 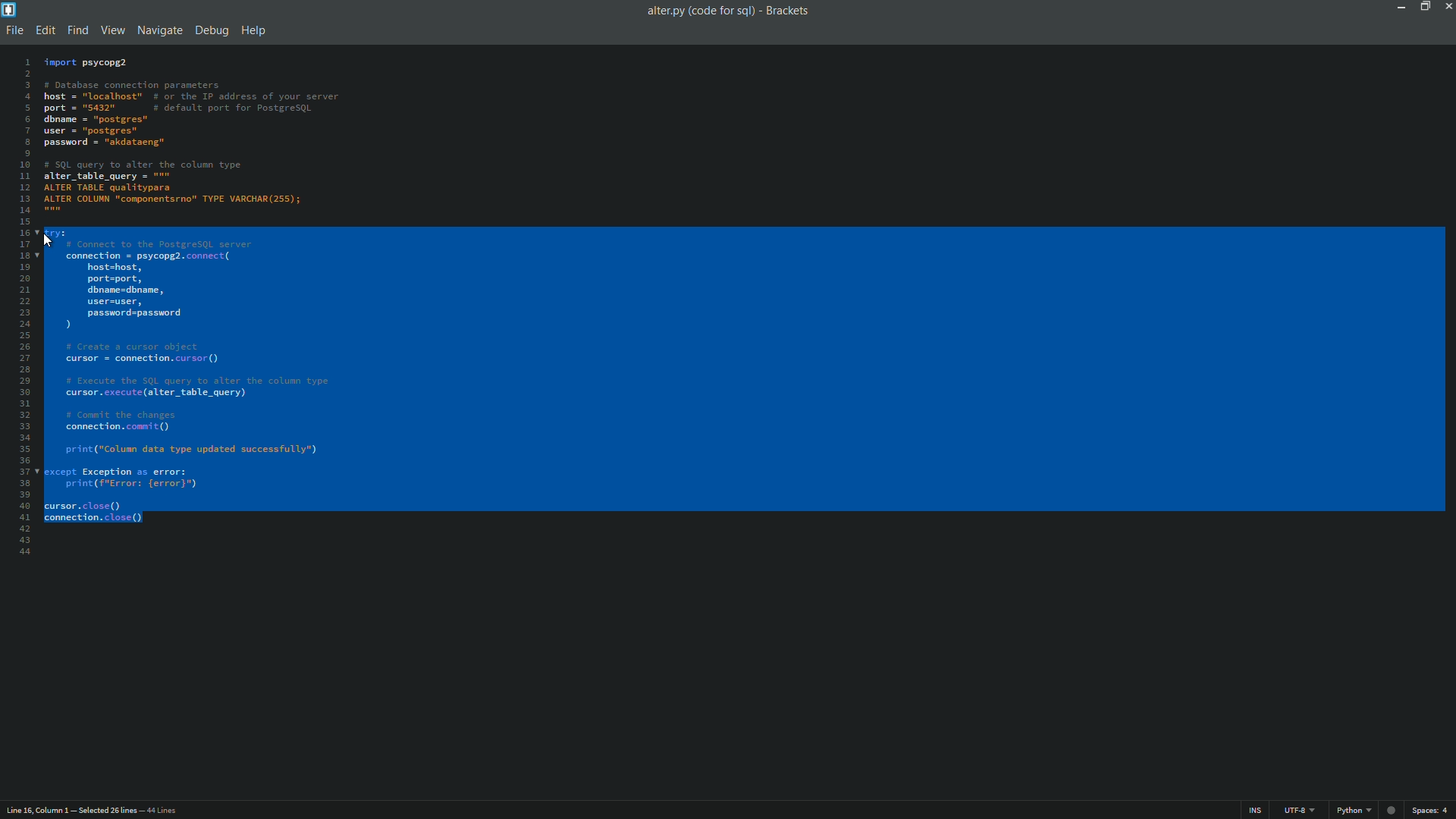 What do you see at coordinates (158, 32) in the screenshot?
I see `navigate menu` at bounding box center [158, 32].